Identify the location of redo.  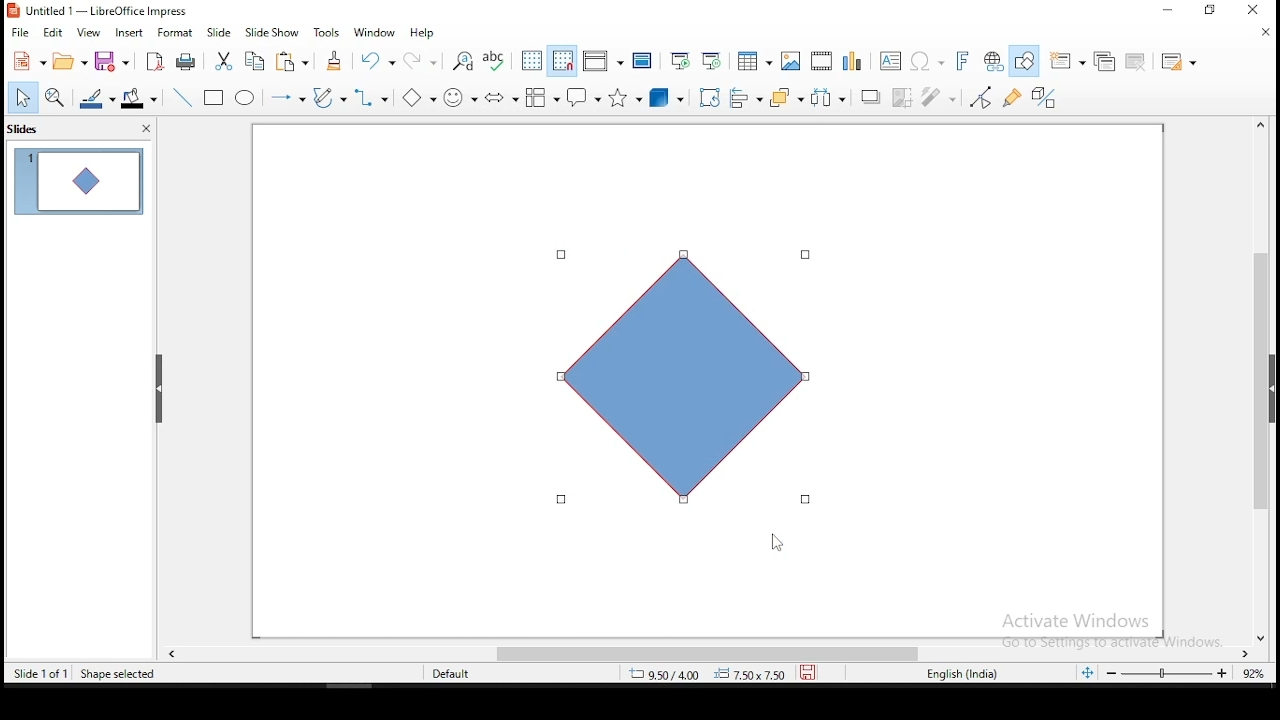
(423, 59).